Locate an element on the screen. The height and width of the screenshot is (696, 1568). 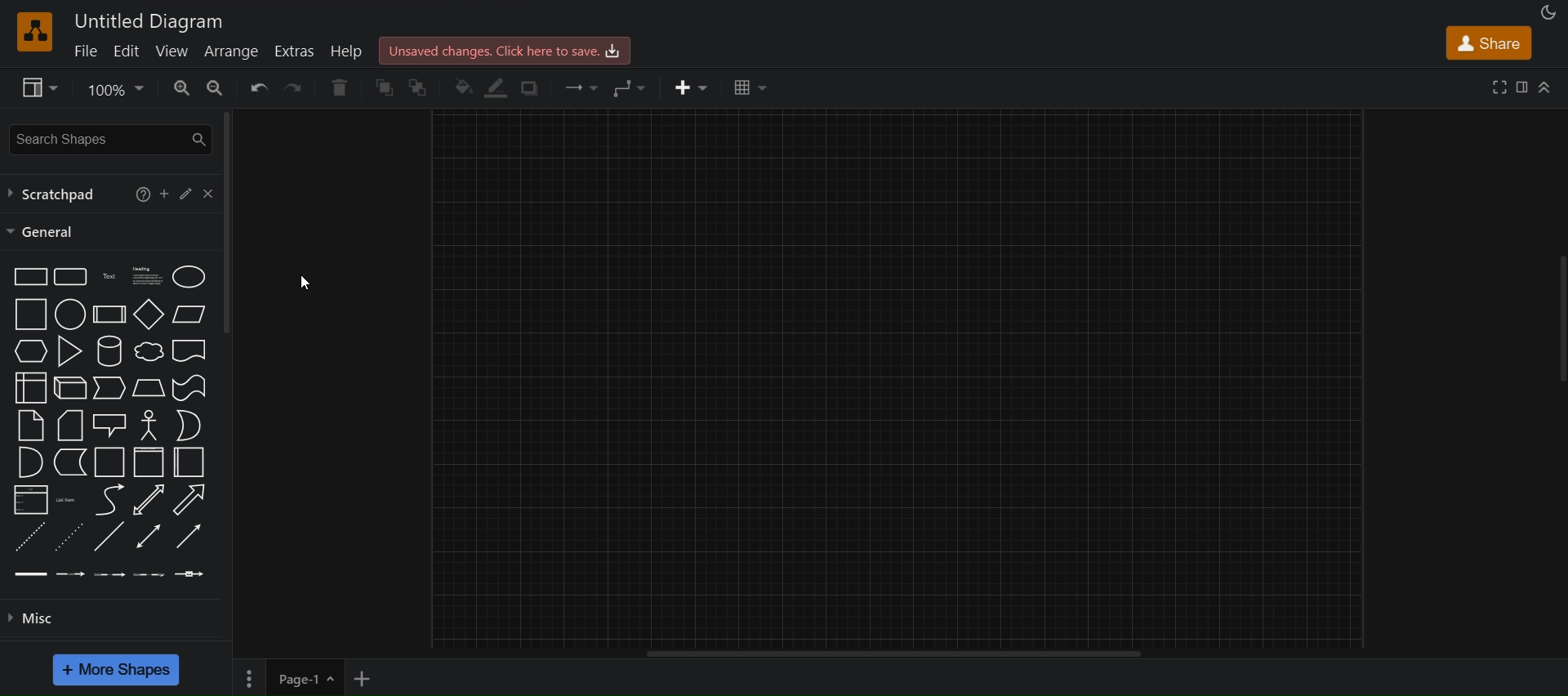
to back is located at coordinates (421, 89).